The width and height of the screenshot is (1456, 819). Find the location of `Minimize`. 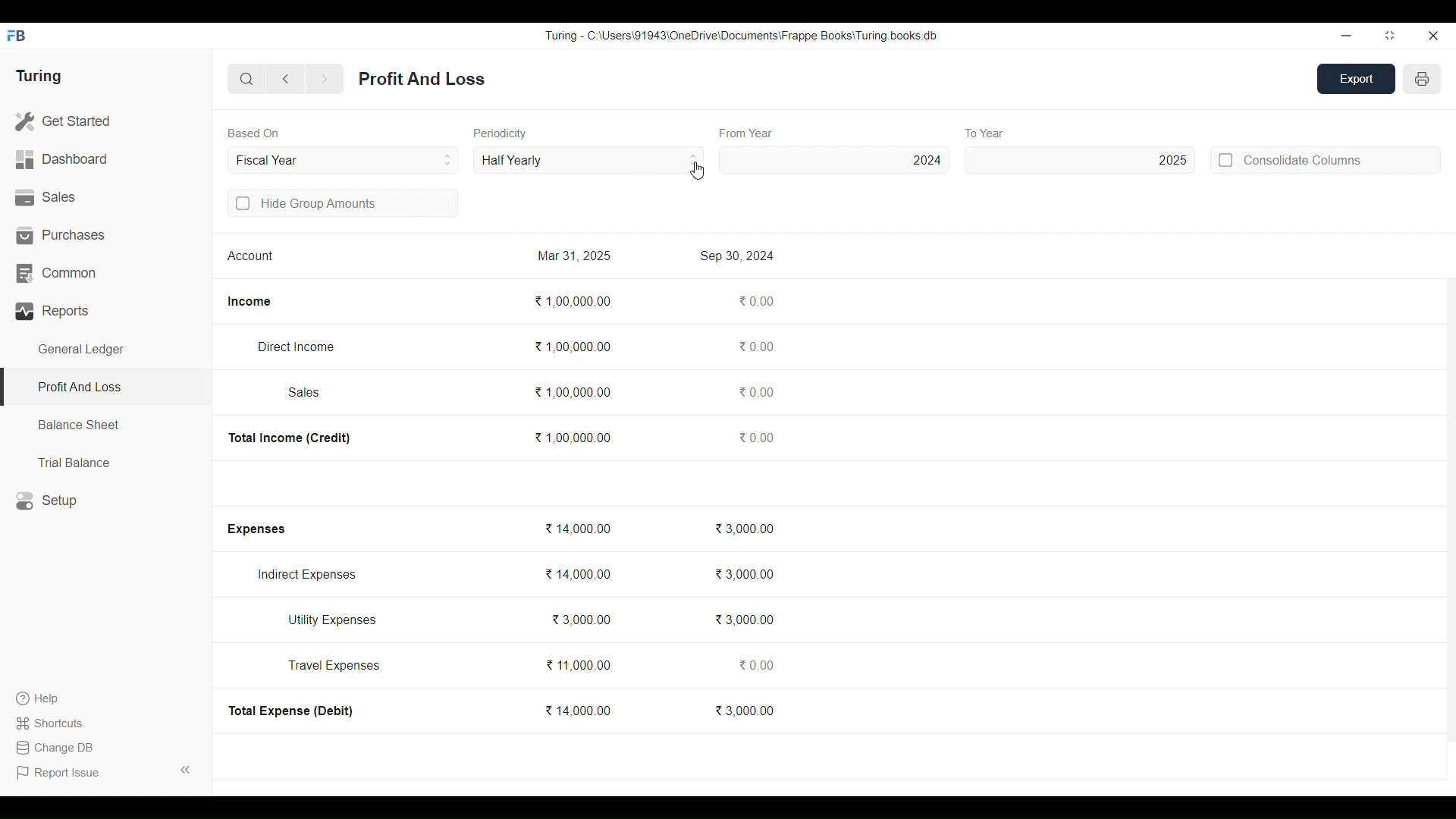

Minimize is located at coordinates (1346, 36).